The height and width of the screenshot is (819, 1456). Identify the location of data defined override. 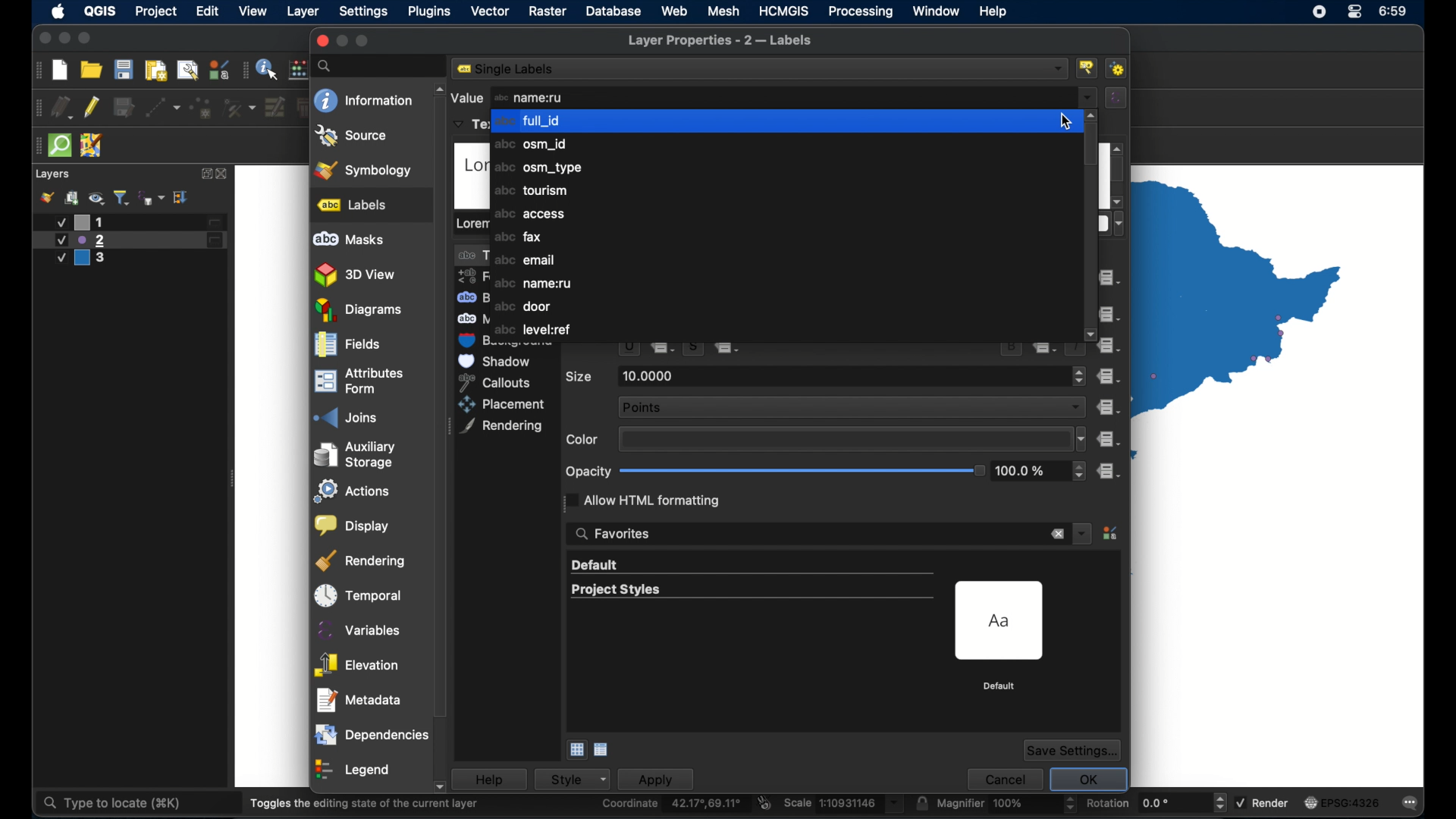
(728, 350).